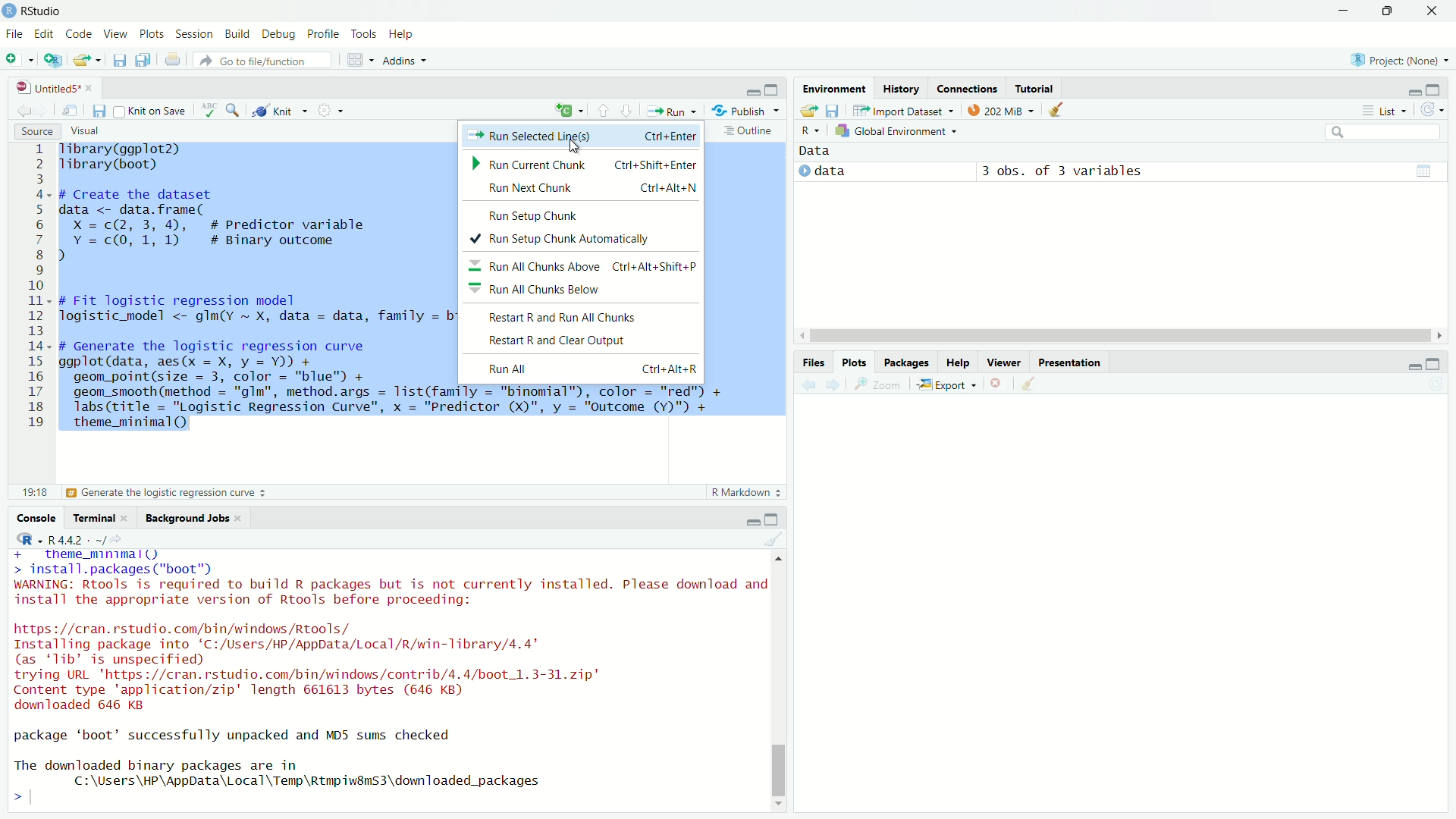 This screenshot has height=819, width=1456. What do you see at coordinates (209, 110) in the screenshot?
I see `Check spelling in the document` at bounding box center [209, 110].